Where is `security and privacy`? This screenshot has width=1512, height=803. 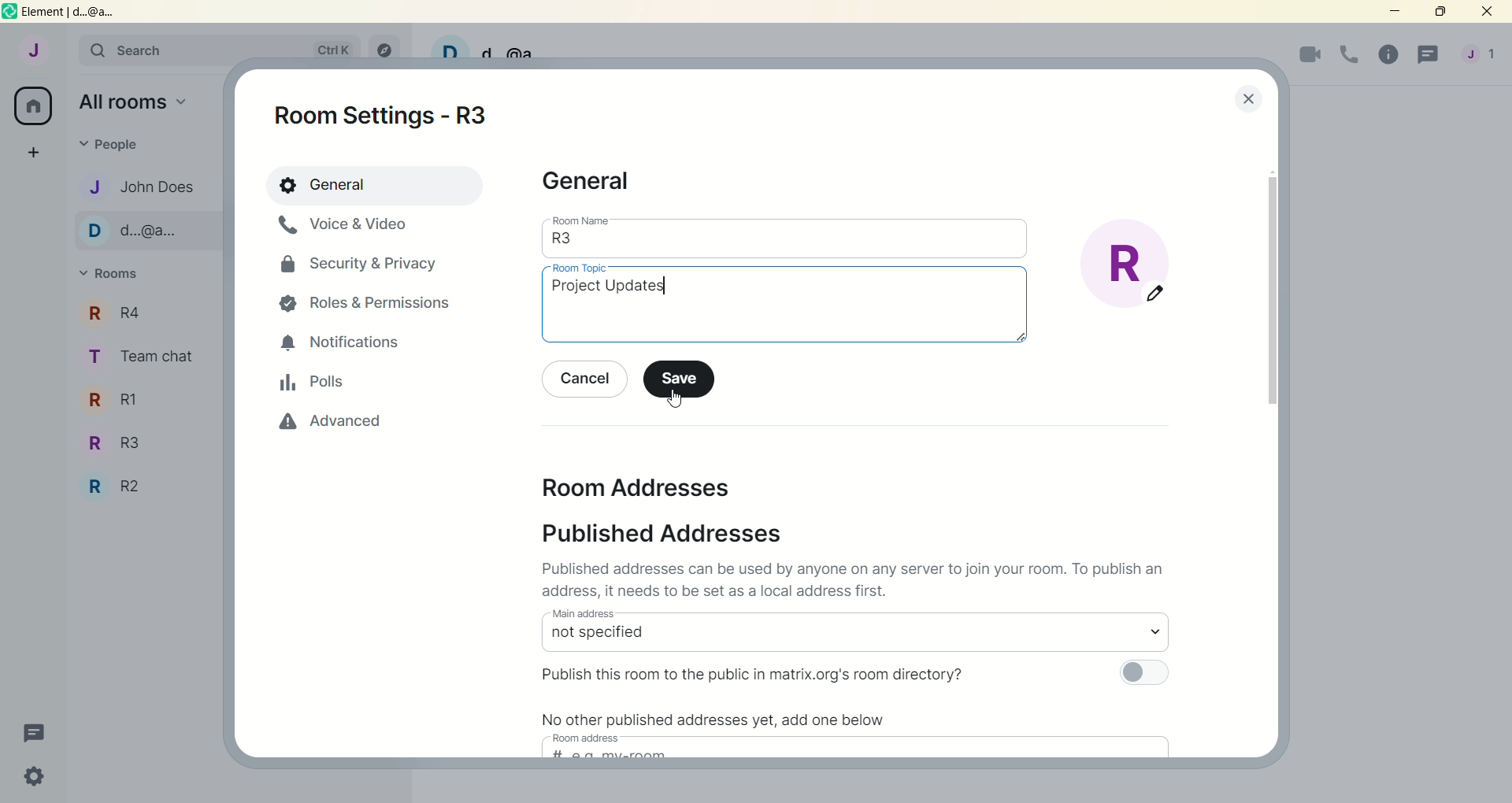
security and privacy is located at coordinates (355, 264).